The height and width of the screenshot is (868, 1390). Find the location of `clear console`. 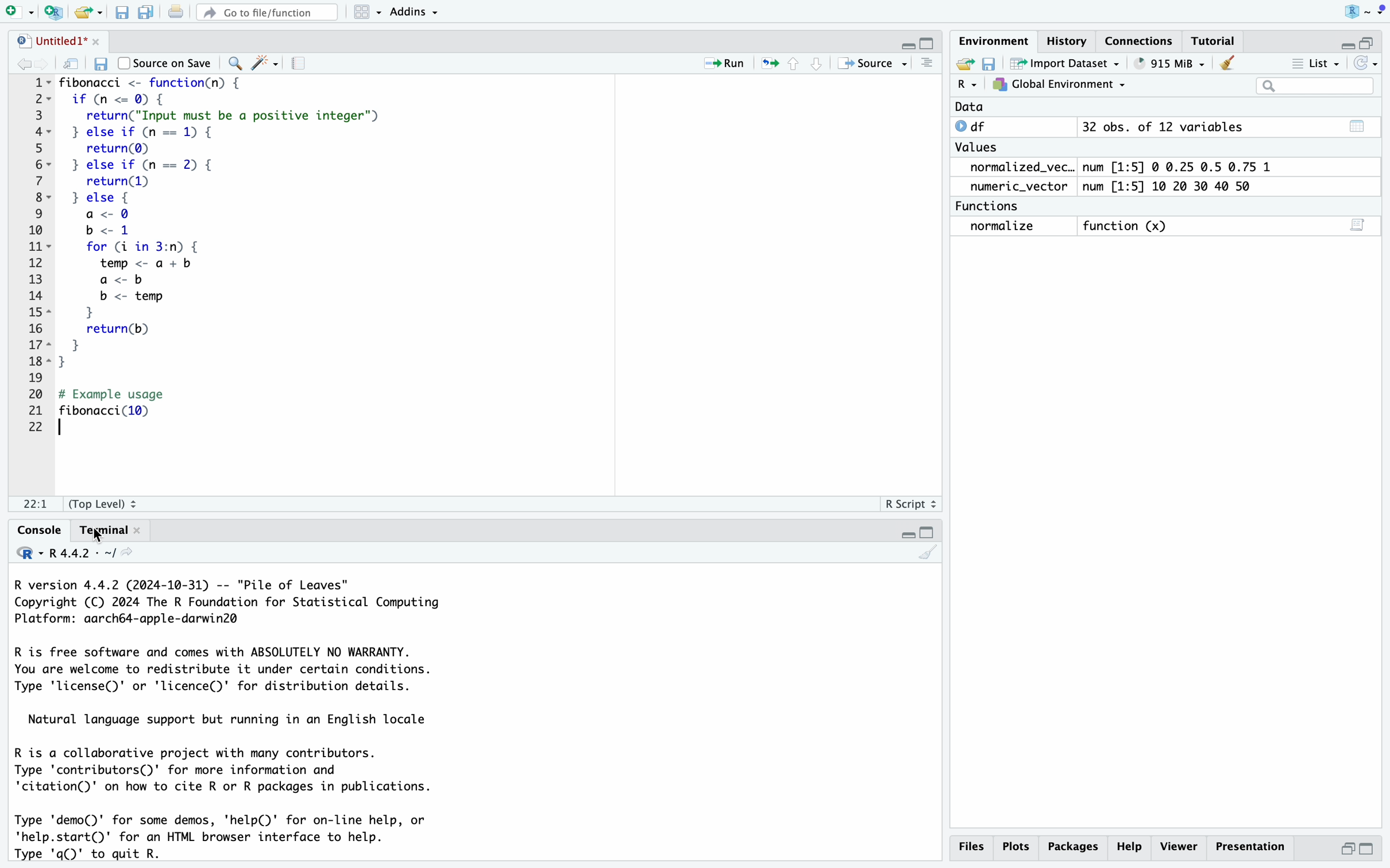

clear console is located at coordinates (924, 63).